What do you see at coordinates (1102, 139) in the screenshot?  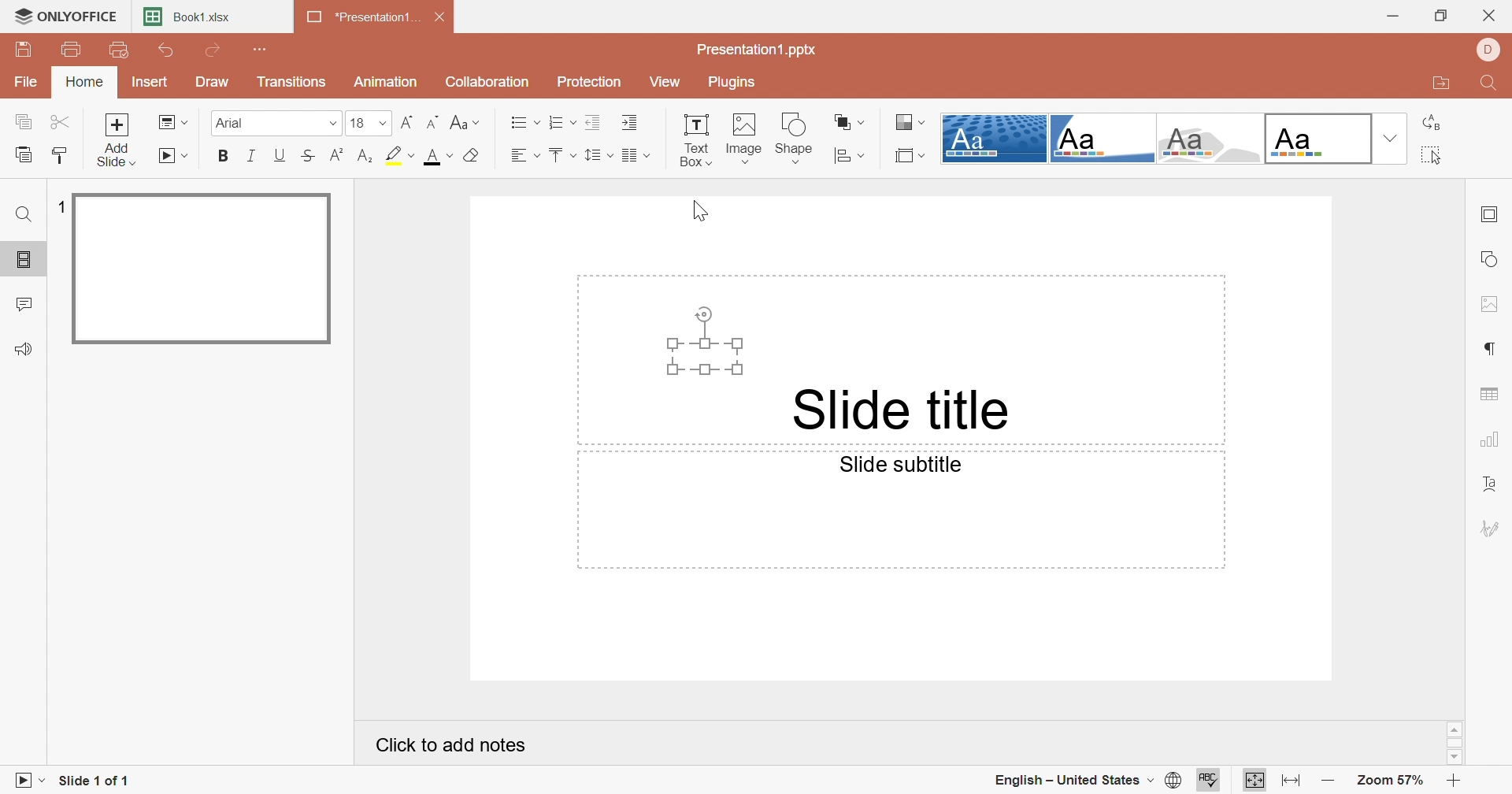 I see `Corner` at bounding box center [1102, 139].